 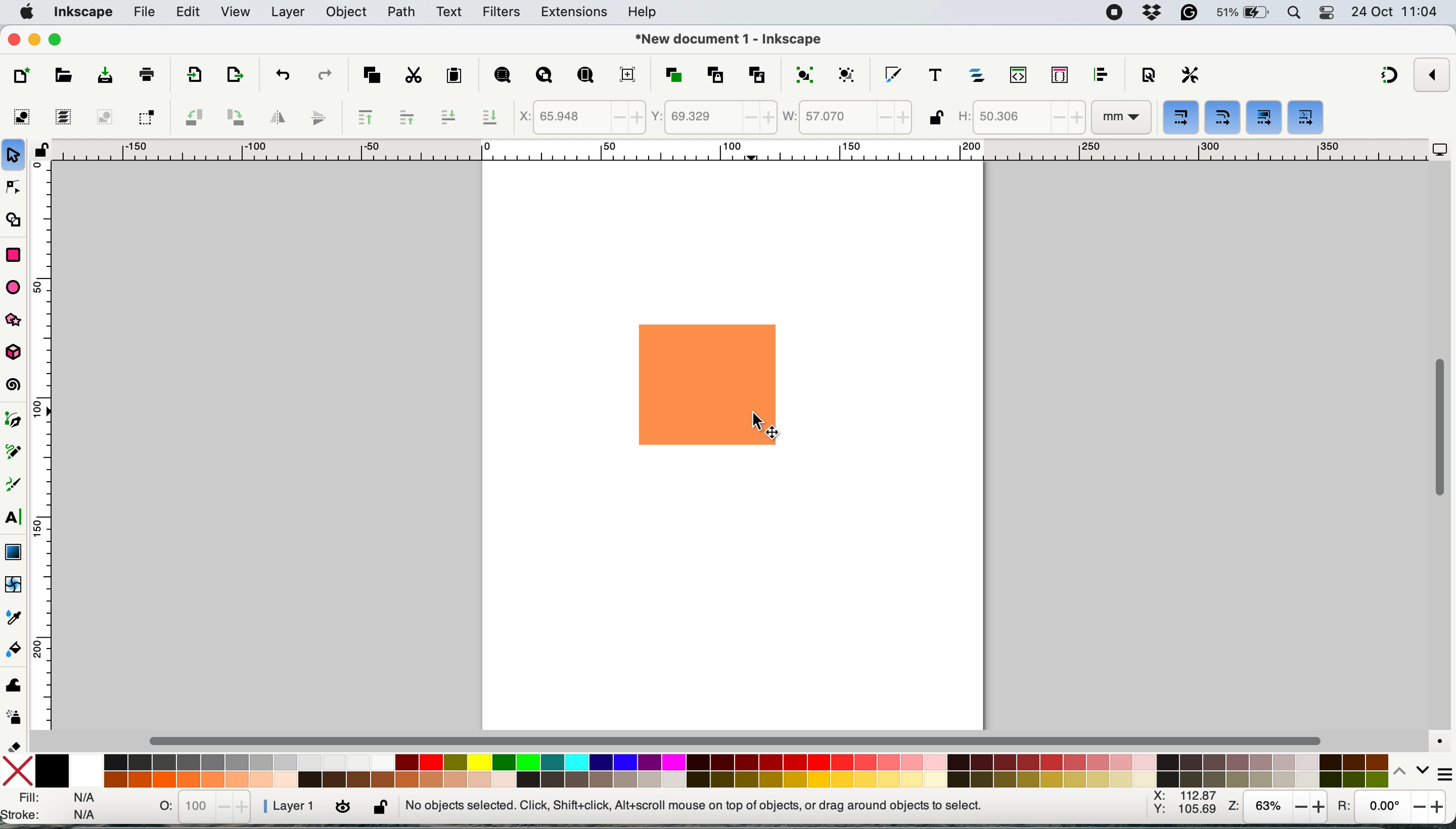 What do you see at coordinates (349, 12) in the screenshot?
I see `object` at bounding box center [349, 12].